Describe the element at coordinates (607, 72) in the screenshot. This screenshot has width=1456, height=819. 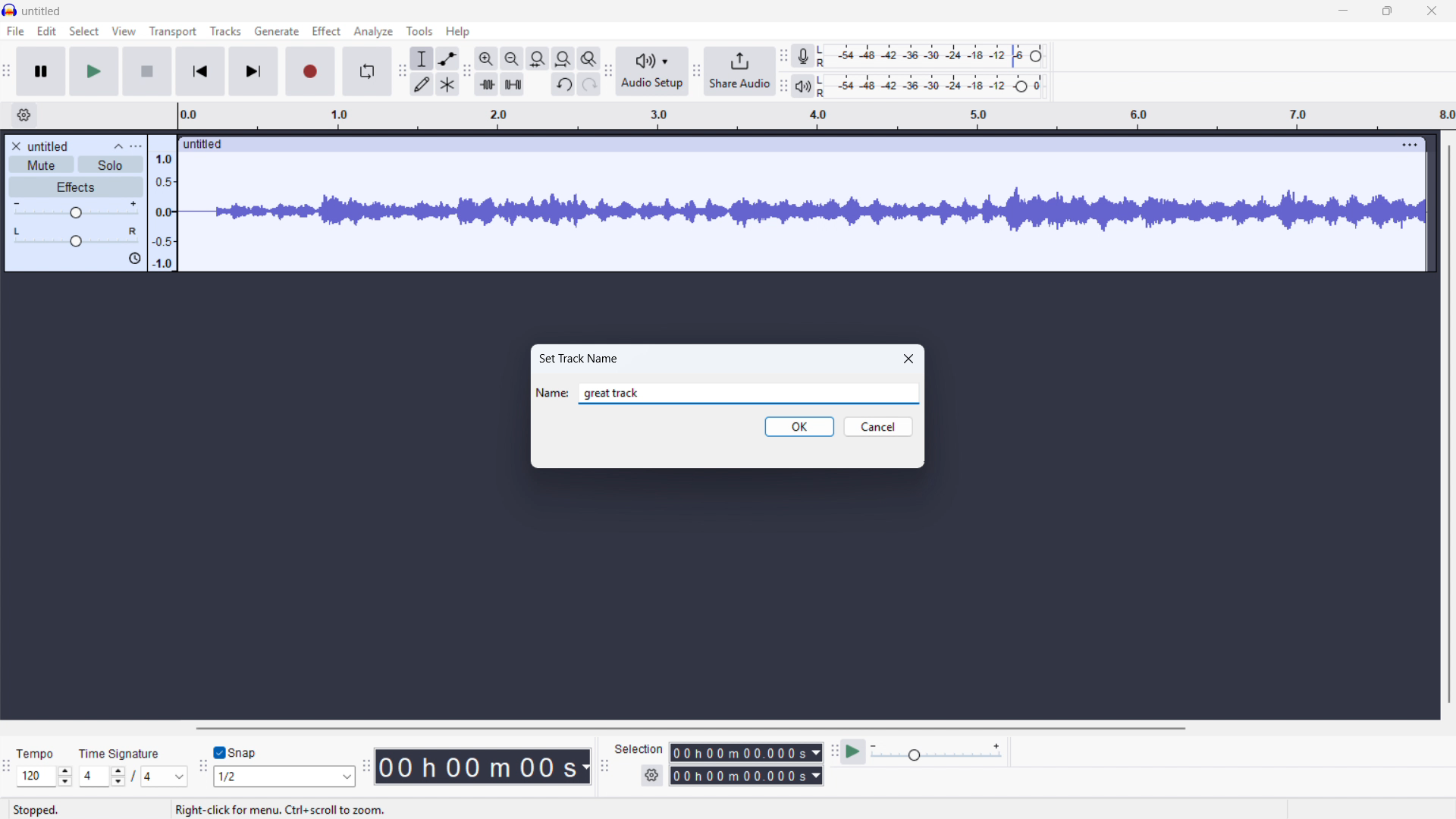
I see `Audio setup toolbar ` at that location.